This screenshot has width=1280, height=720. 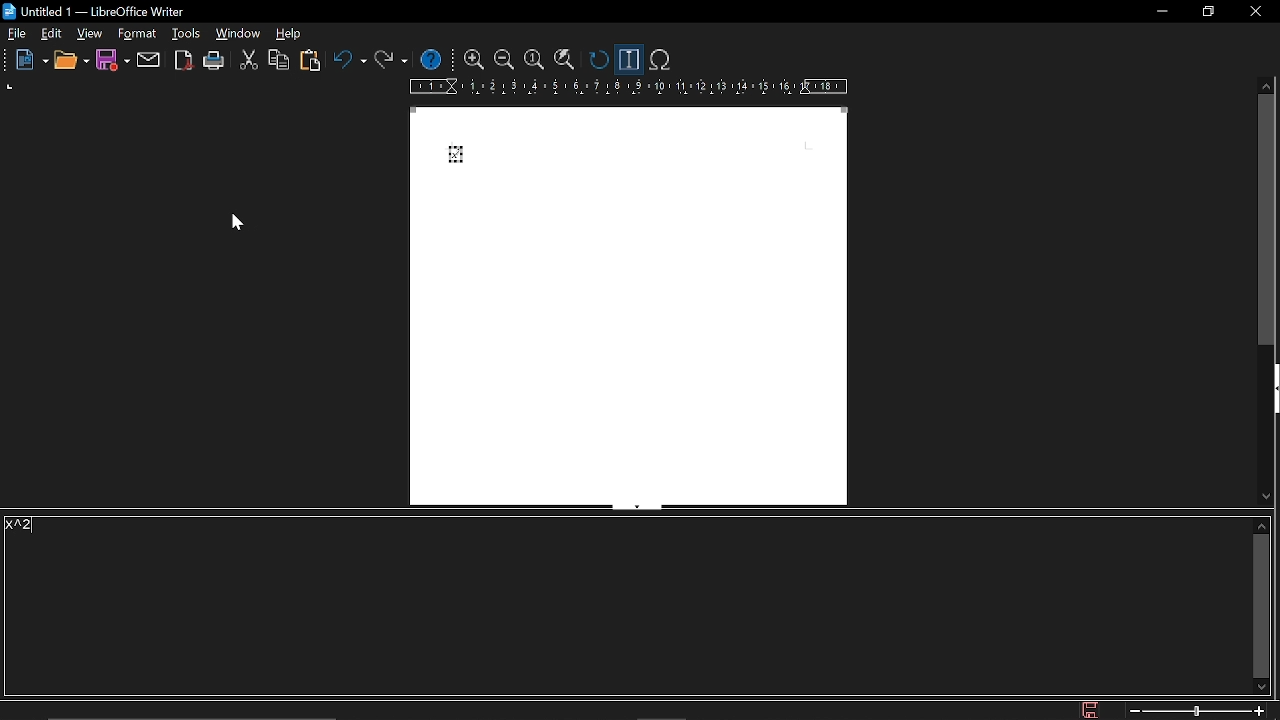 I want to click on 100%, so click(x=534, y=61).